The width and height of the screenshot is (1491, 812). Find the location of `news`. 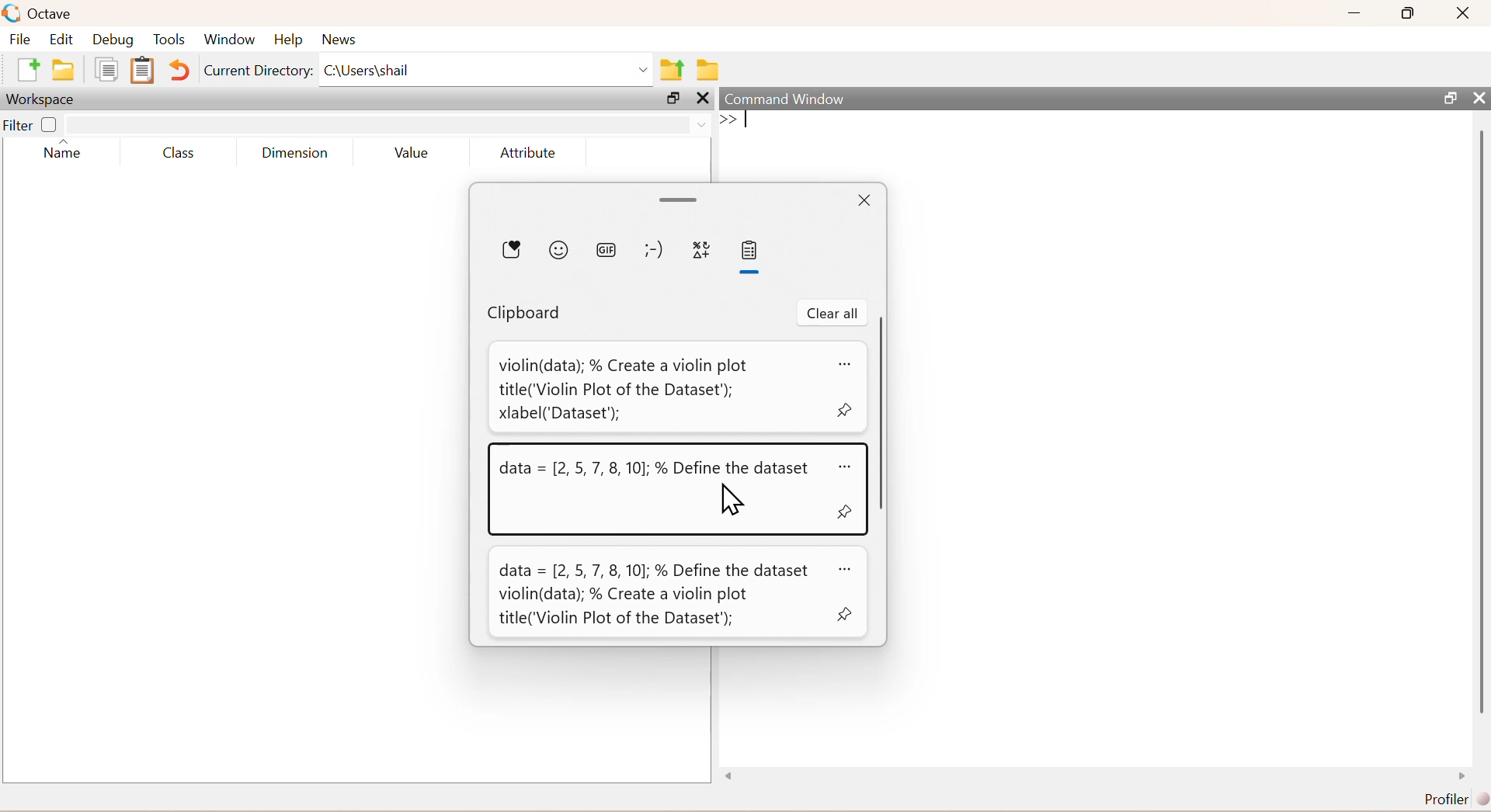

news is located at coordinates (342, 40).